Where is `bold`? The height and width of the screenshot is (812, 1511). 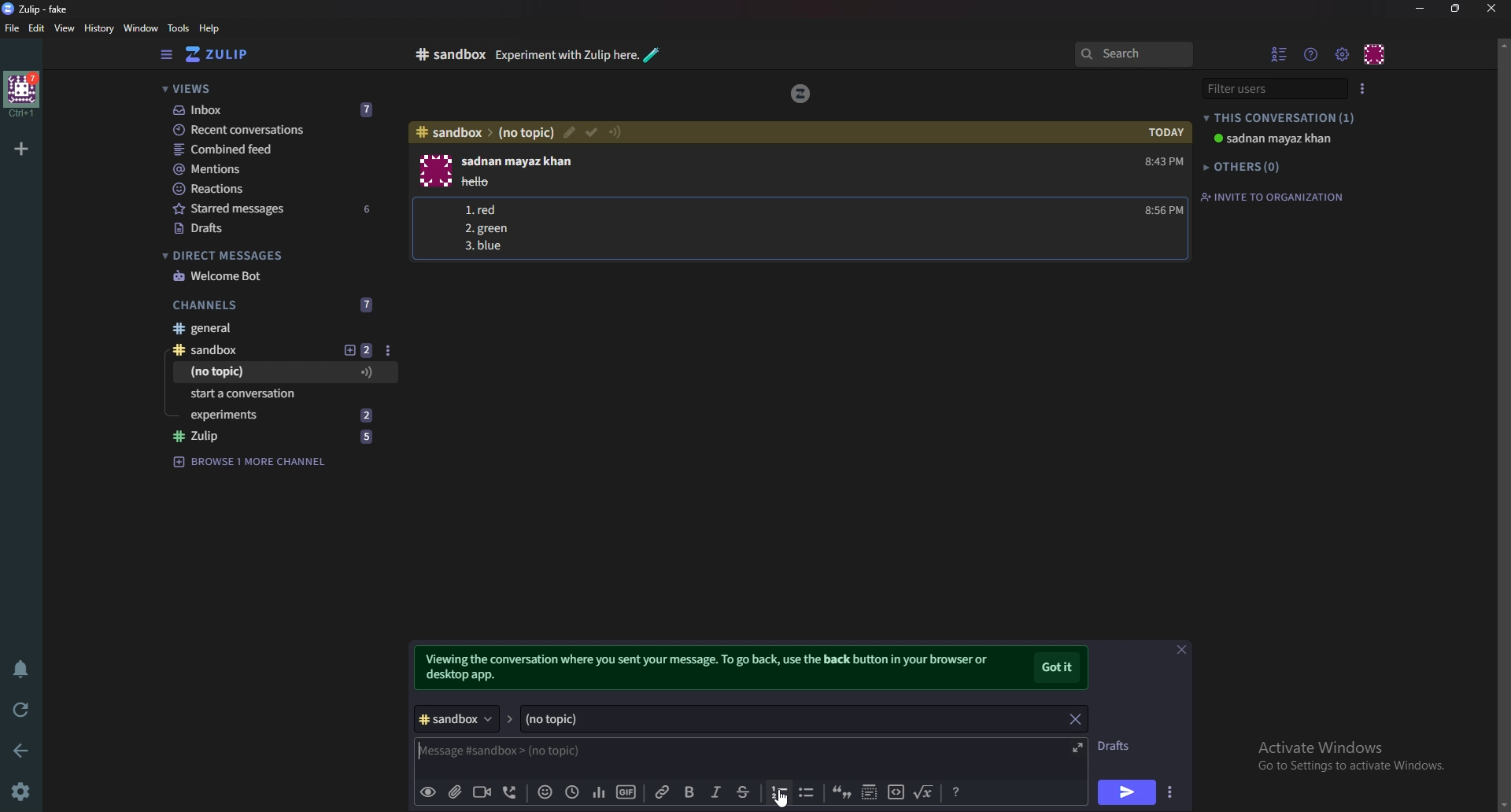 bold is located at coordinates (688, 792).